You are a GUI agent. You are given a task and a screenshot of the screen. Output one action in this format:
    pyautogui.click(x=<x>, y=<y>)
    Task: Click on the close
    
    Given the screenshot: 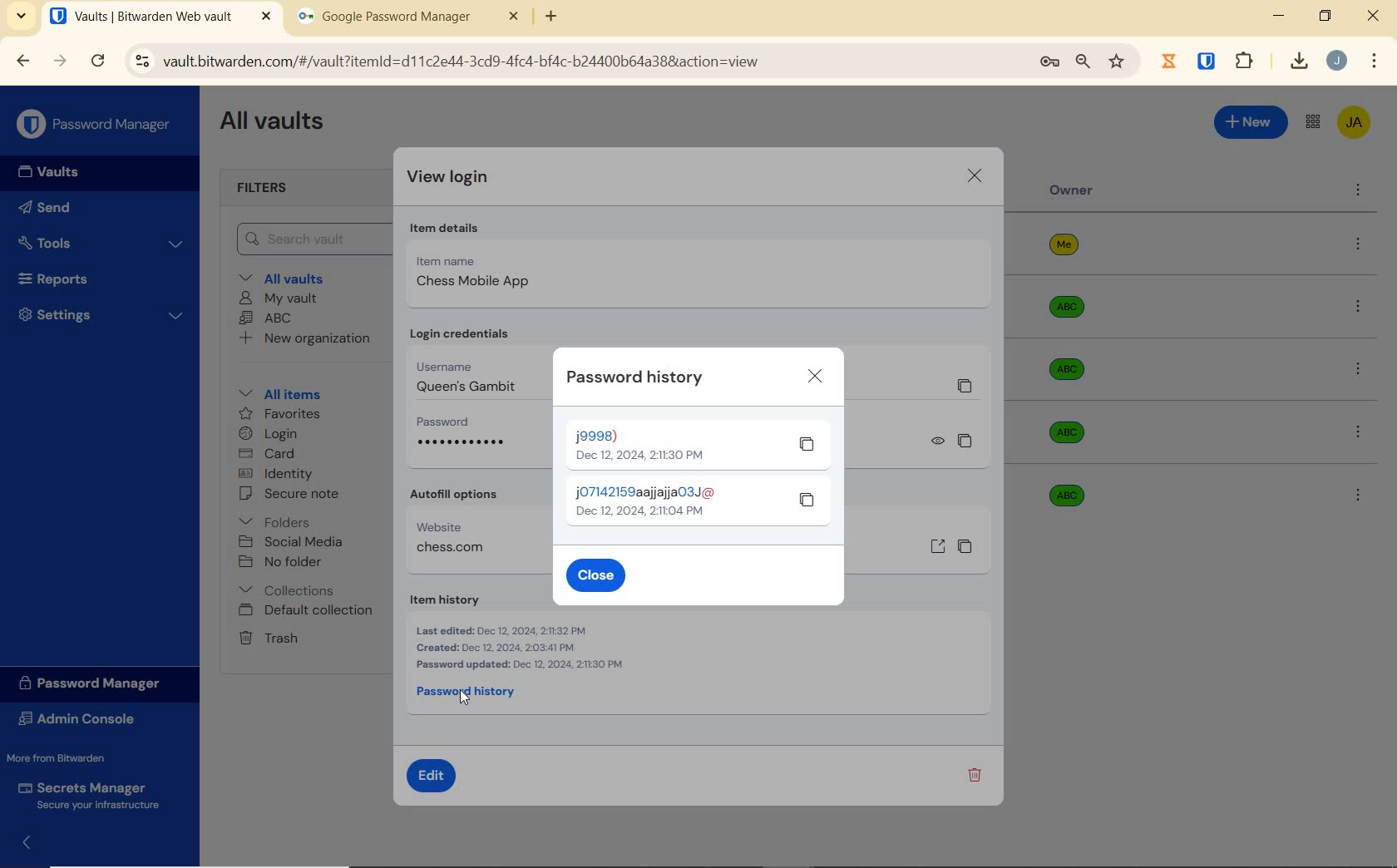 What is the action you would take?
    pyautogui.click(x=1375, y=18)
    